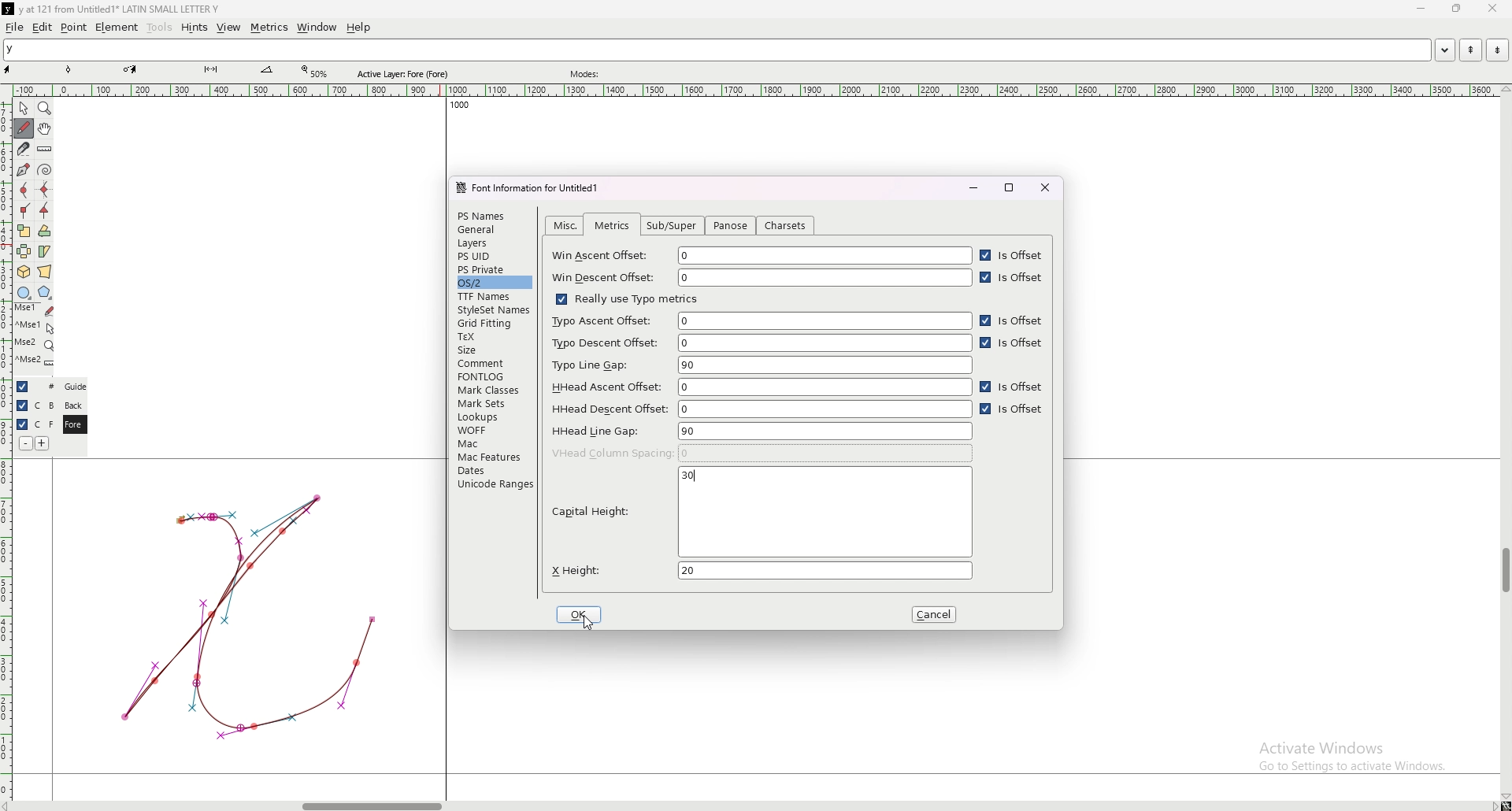  Describe the element at coordinates (1503, 90) in the screenshot. I see `scroll up` at that location.